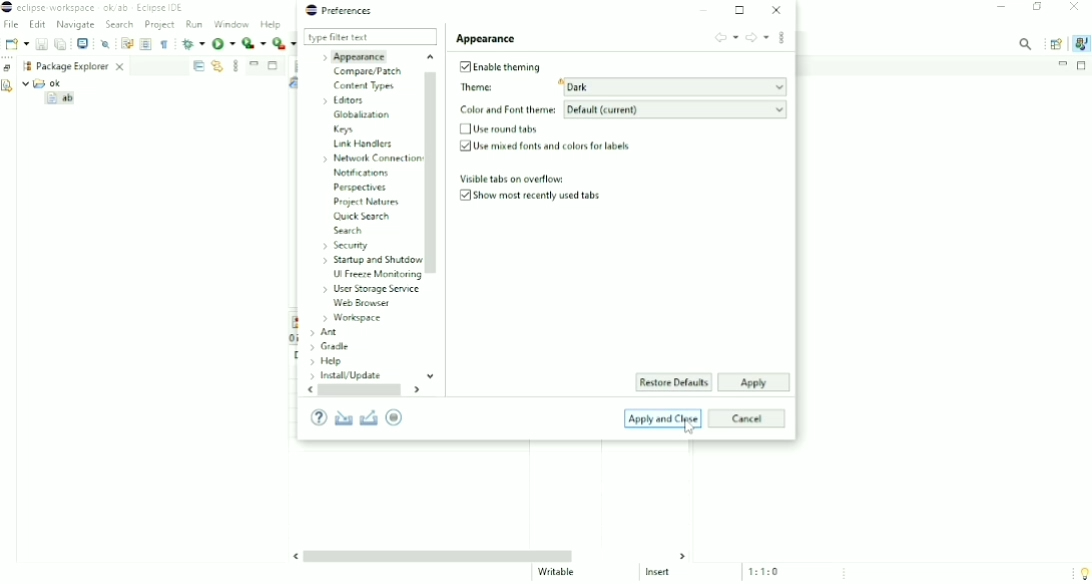  I want to click on Apply and Close, so click(664, 418).